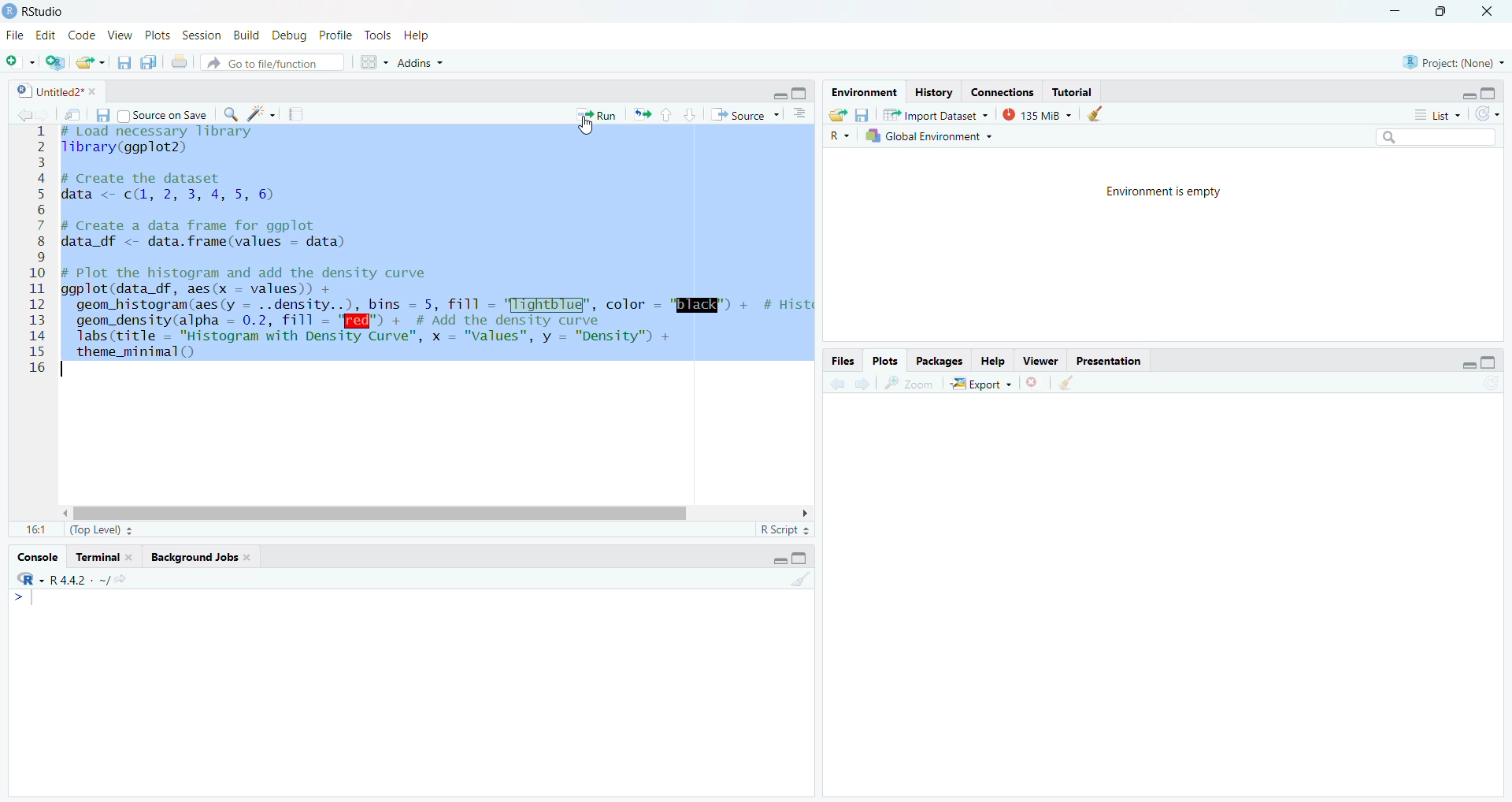  Describe the element at coordinates (908, 384) in the screenshot. I see `zoom` at that location.